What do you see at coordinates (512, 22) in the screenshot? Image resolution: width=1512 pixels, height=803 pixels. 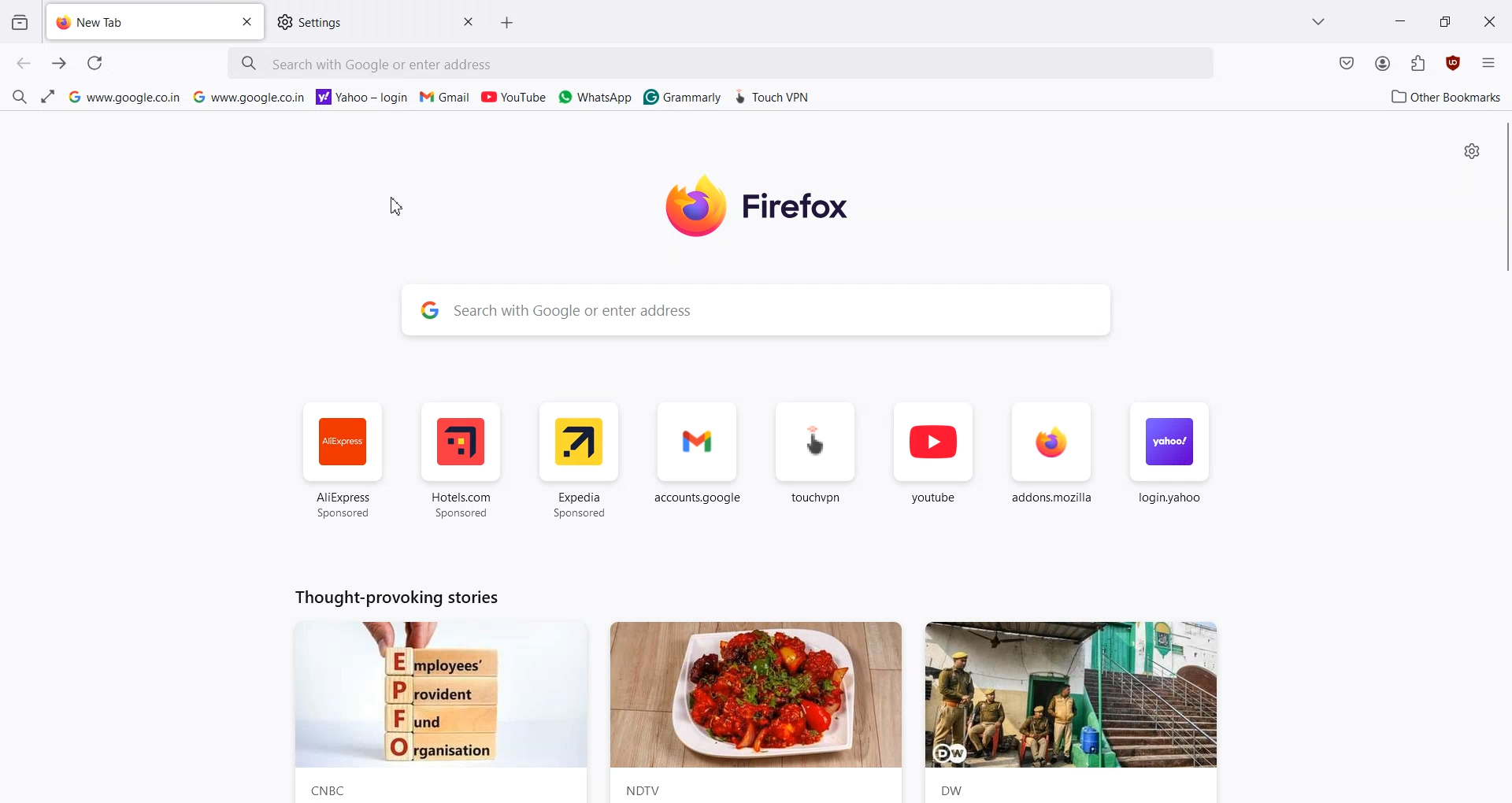 I see `Add new Tab` at bounding box center [512, 22].